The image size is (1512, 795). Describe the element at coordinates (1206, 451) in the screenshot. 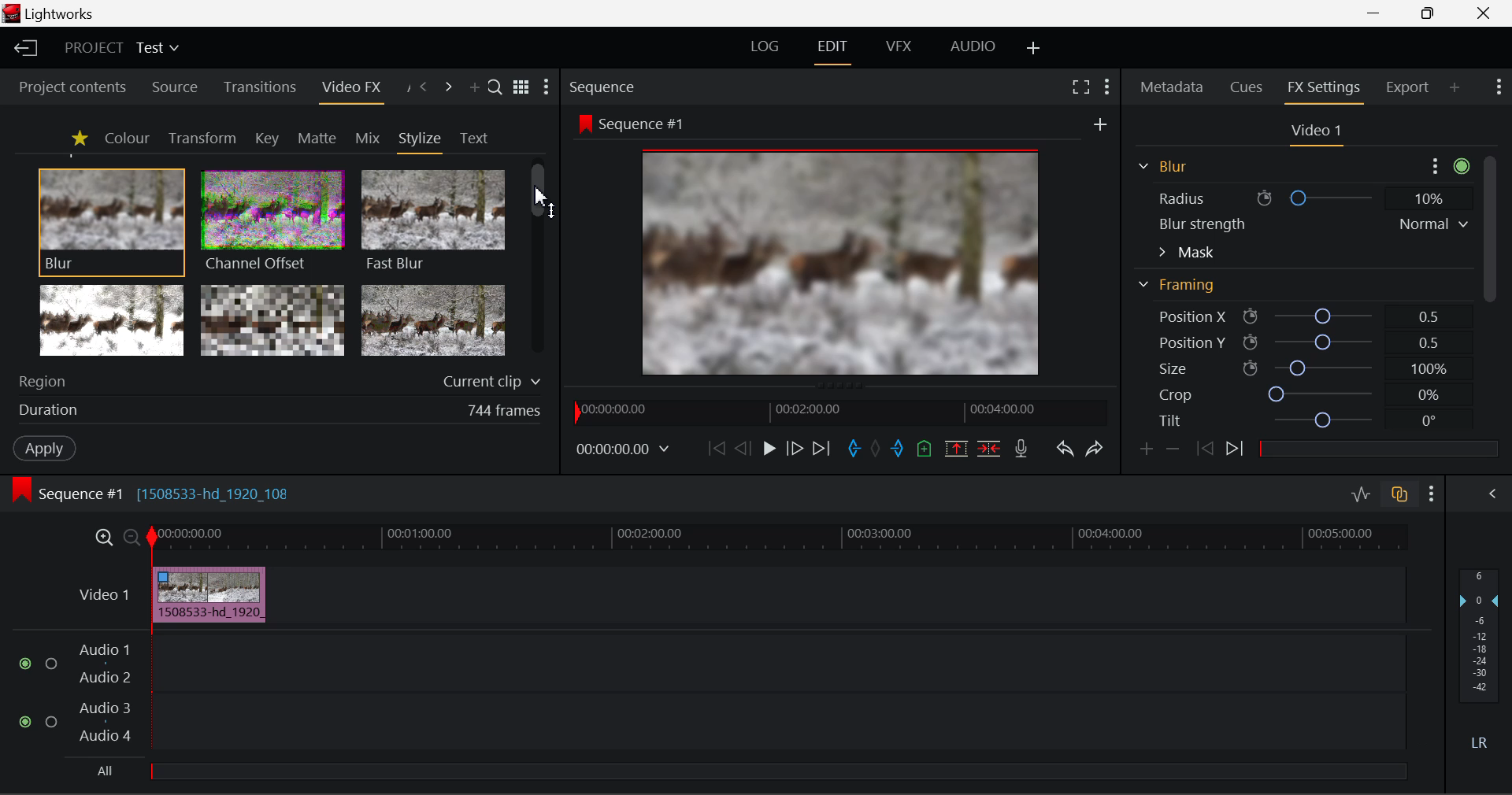

I see `Last keyframe` at that location.